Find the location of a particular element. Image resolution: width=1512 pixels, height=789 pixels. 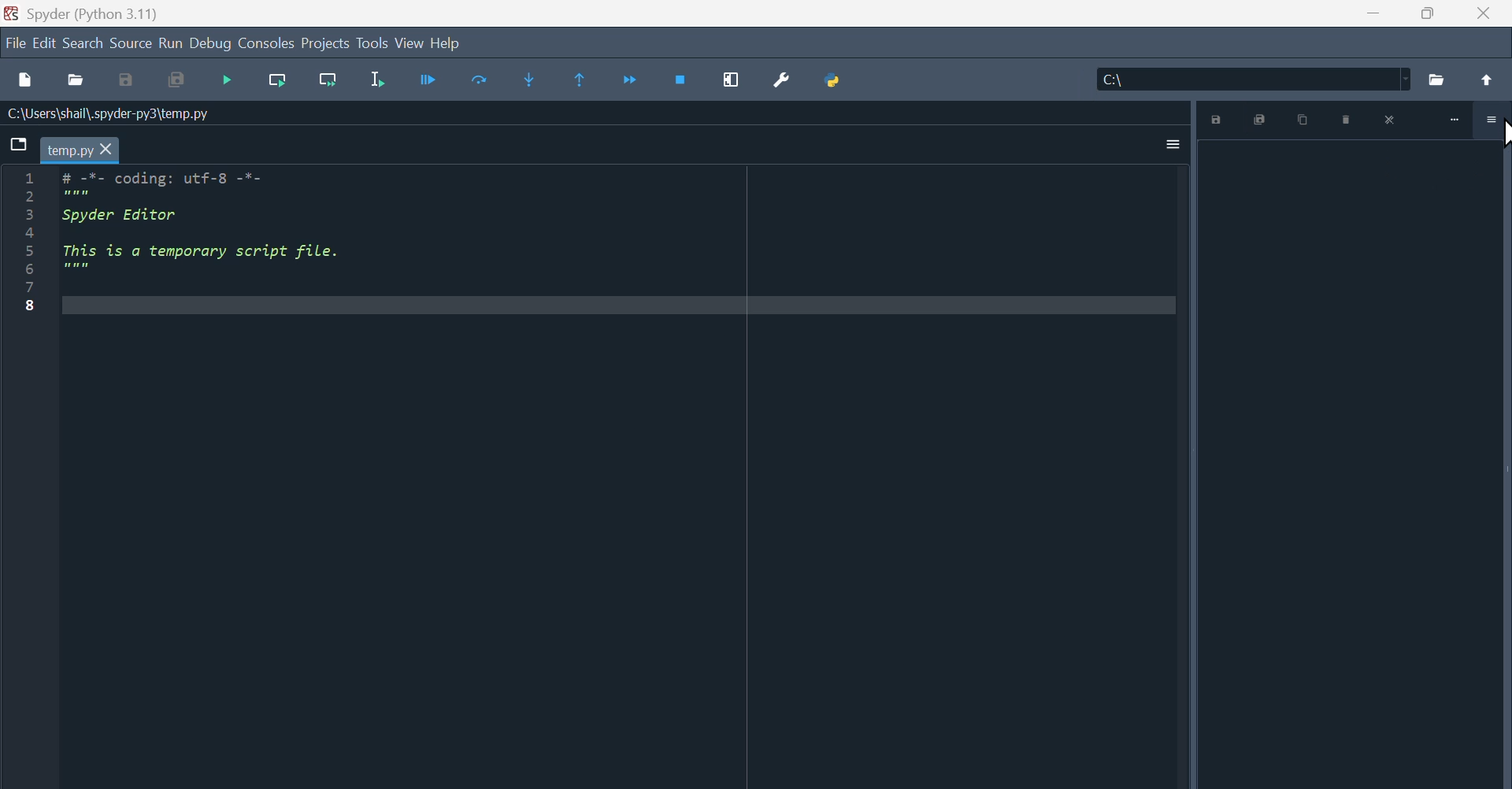

File is located at coordinates (14, 46).